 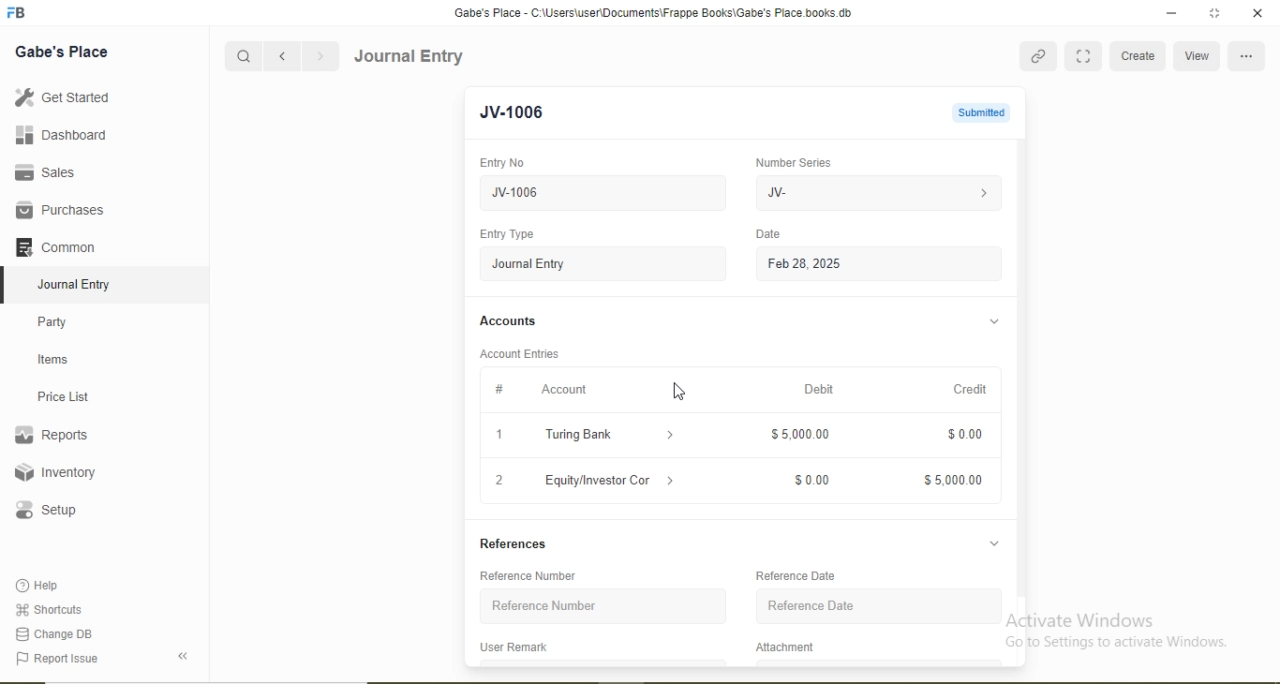 I want to click on Sales, so click(x=42, y=172).